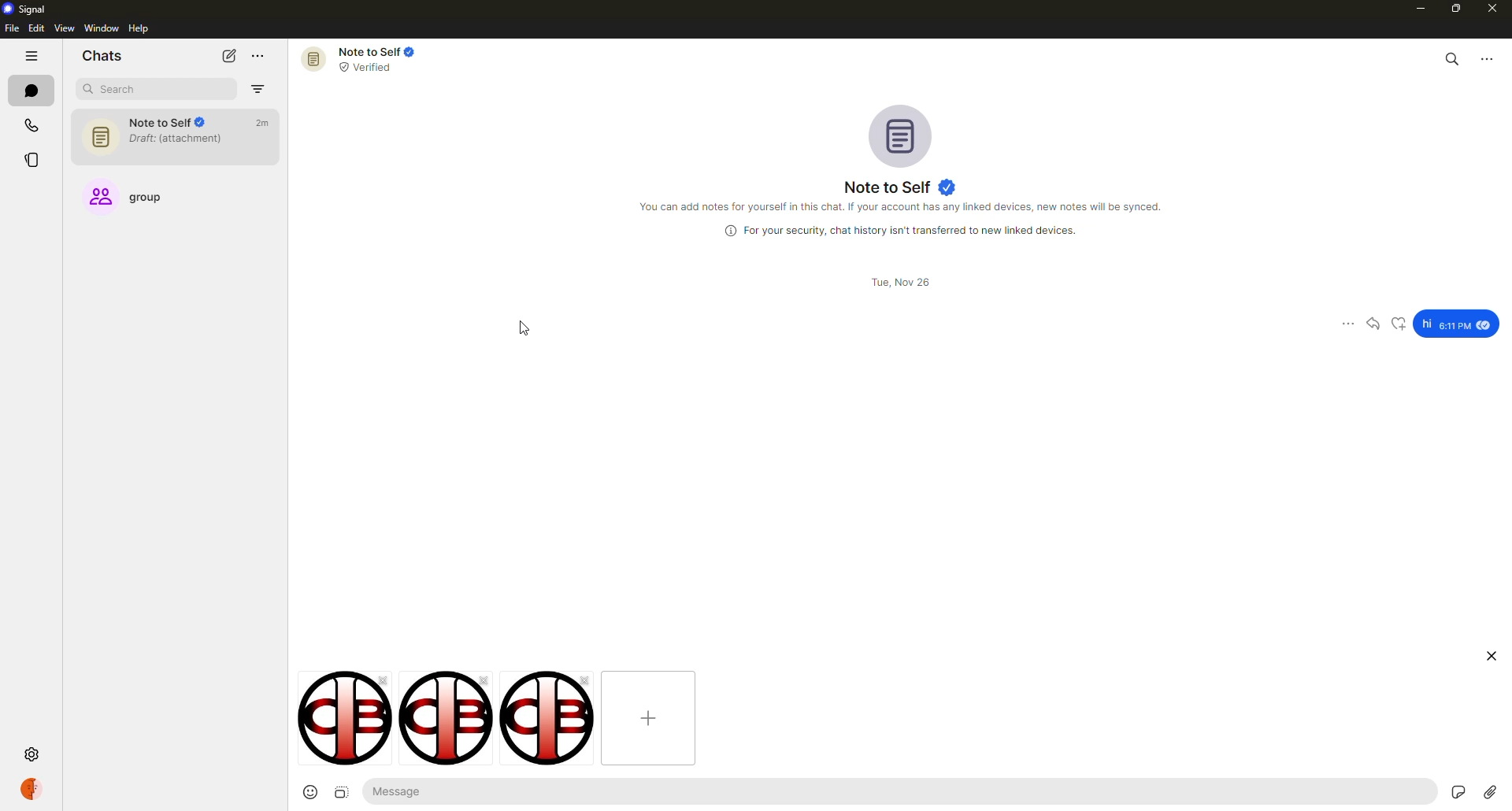 This screenshot has height=811, width=1512. What do you see at coordinates (257, 88) in the screenshot?
I see `filter` at bounding box center [257, 88].